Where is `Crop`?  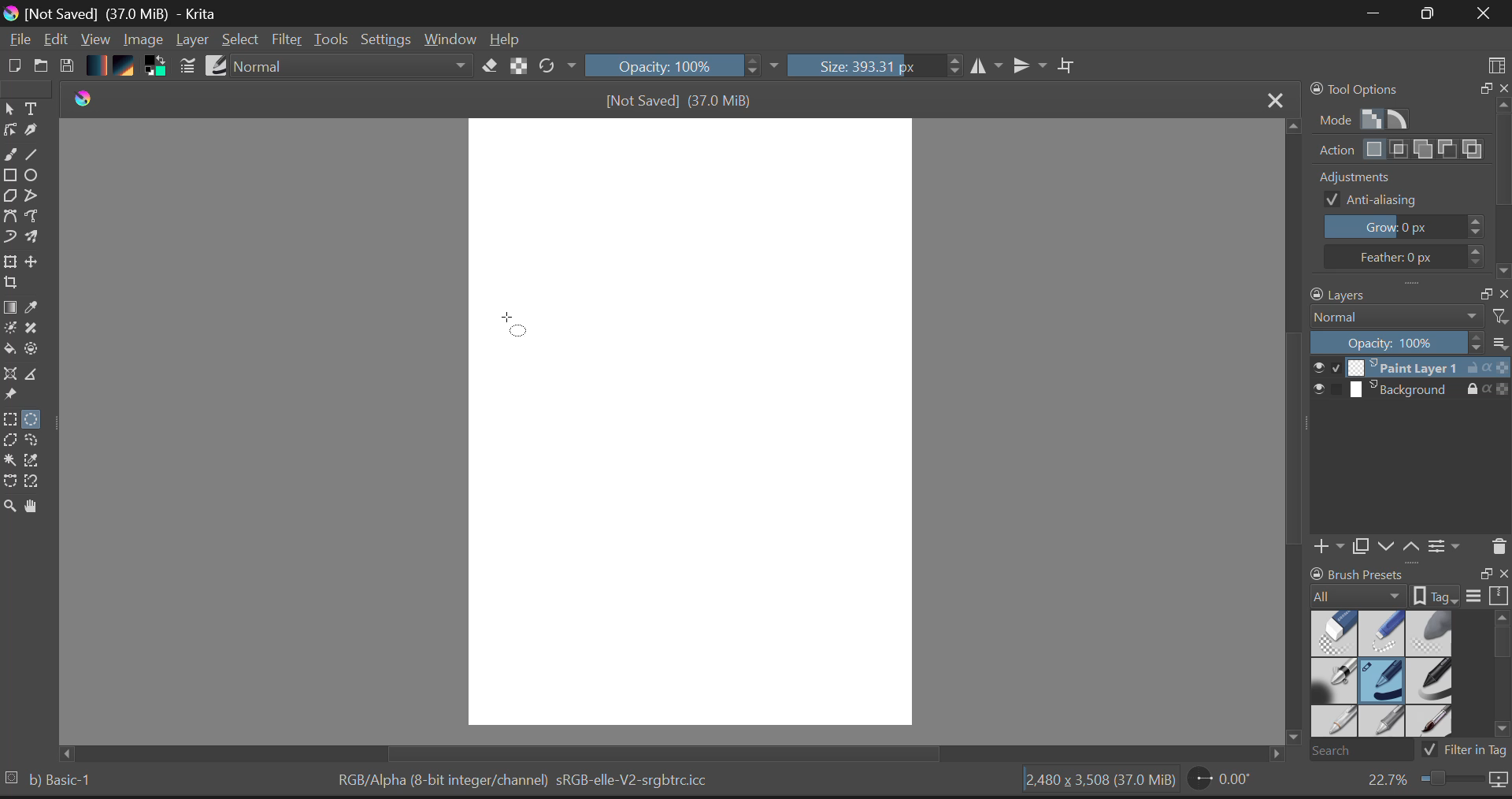
Crop is located at coordinates (9, 287).